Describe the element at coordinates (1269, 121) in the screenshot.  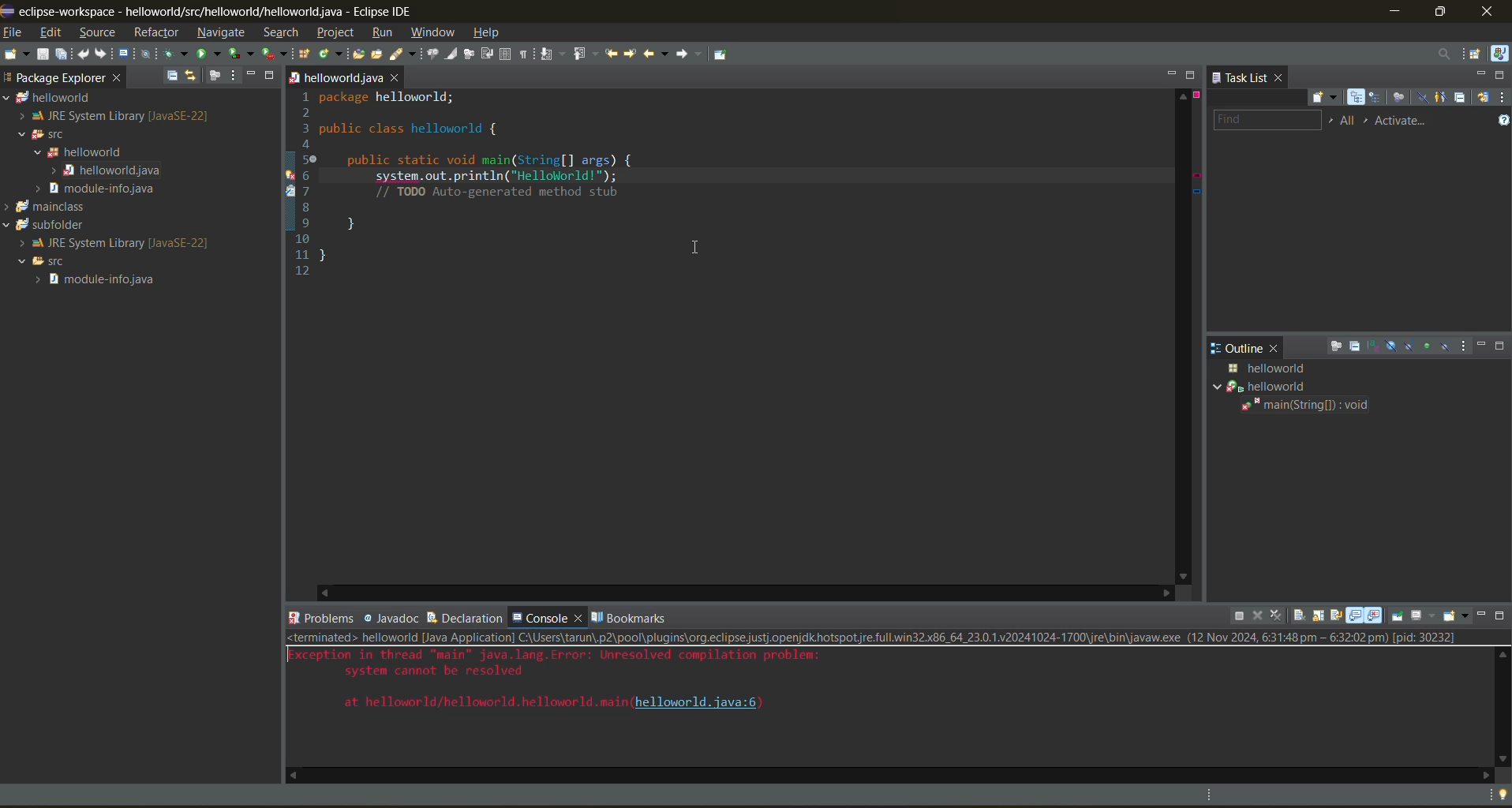
I see `find` at that location.